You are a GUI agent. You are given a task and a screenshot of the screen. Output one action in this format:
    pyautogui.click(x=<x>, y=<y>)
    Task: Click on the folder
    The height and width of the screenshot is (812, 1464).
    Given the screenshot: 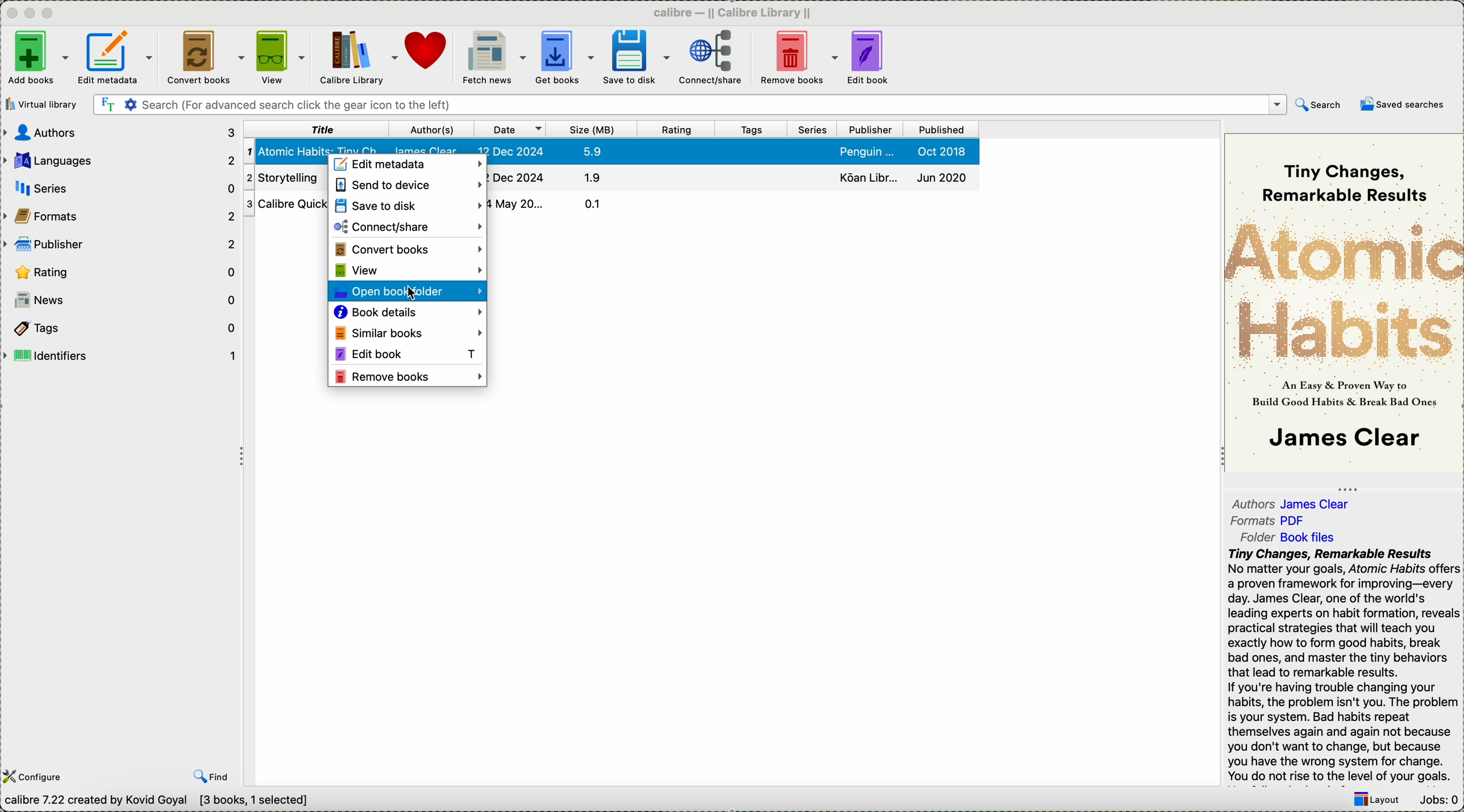 What is the action you would take?
    pyautogui.click(x=1295, y=536)
    